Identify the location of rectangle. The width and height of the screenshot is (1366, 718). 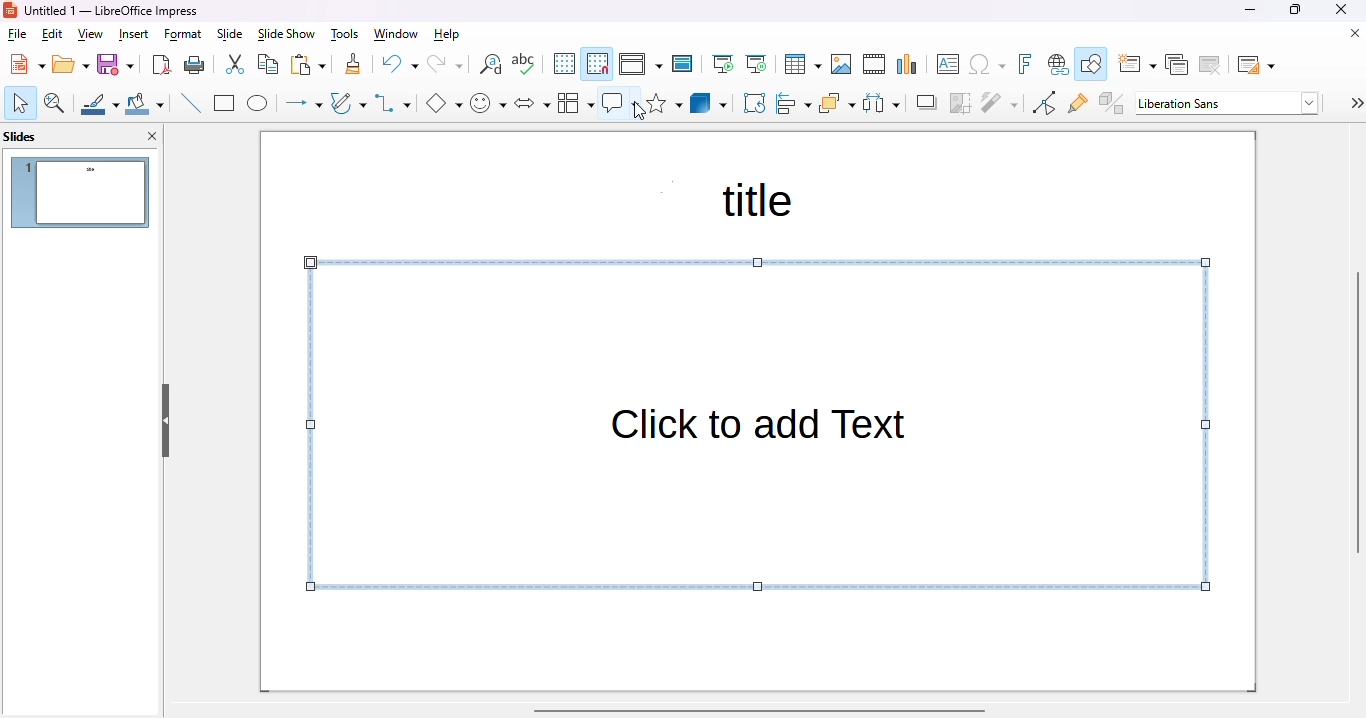
(225, 103).